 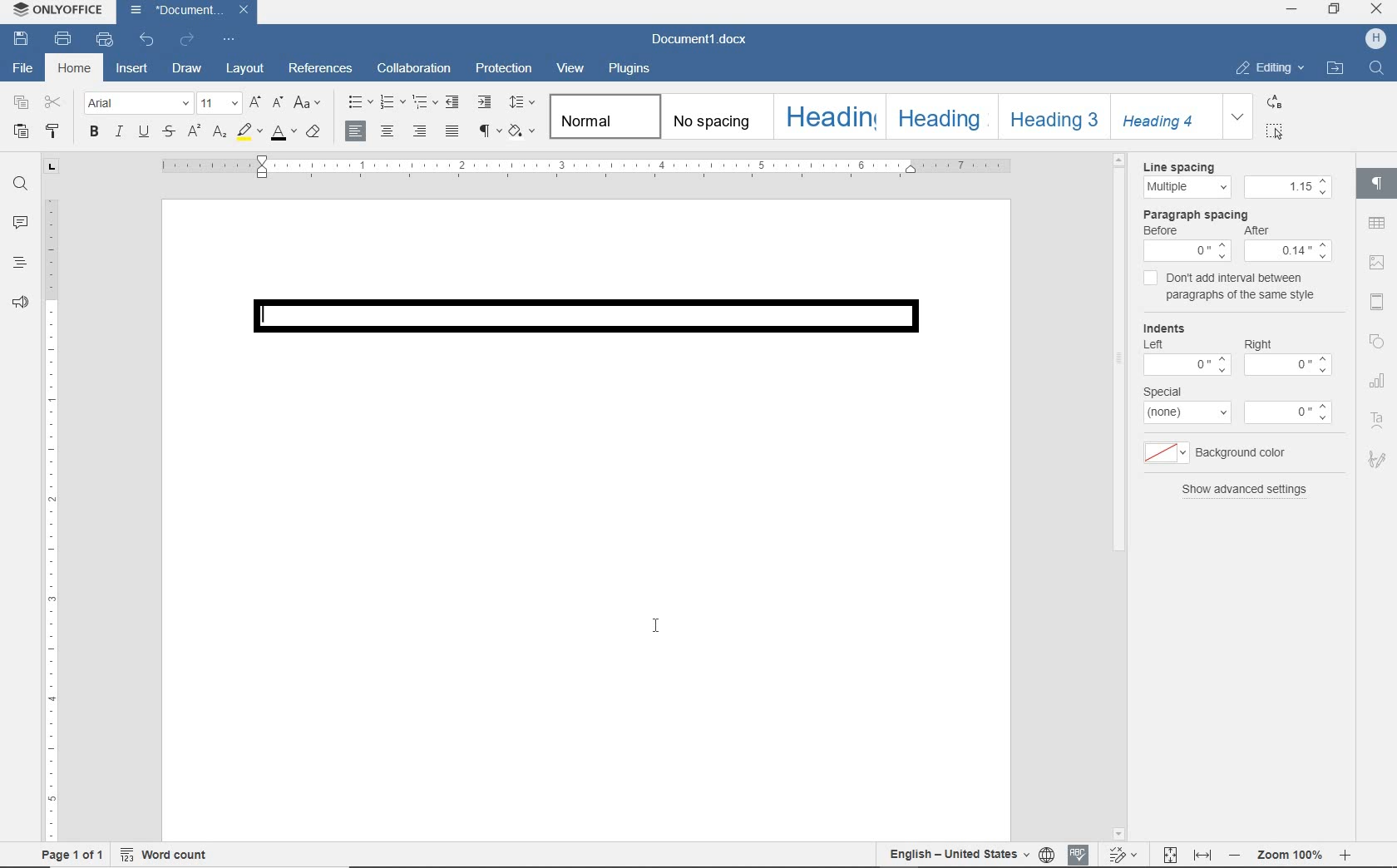 I want to click on customize quick access, so click(x=230, y=39).